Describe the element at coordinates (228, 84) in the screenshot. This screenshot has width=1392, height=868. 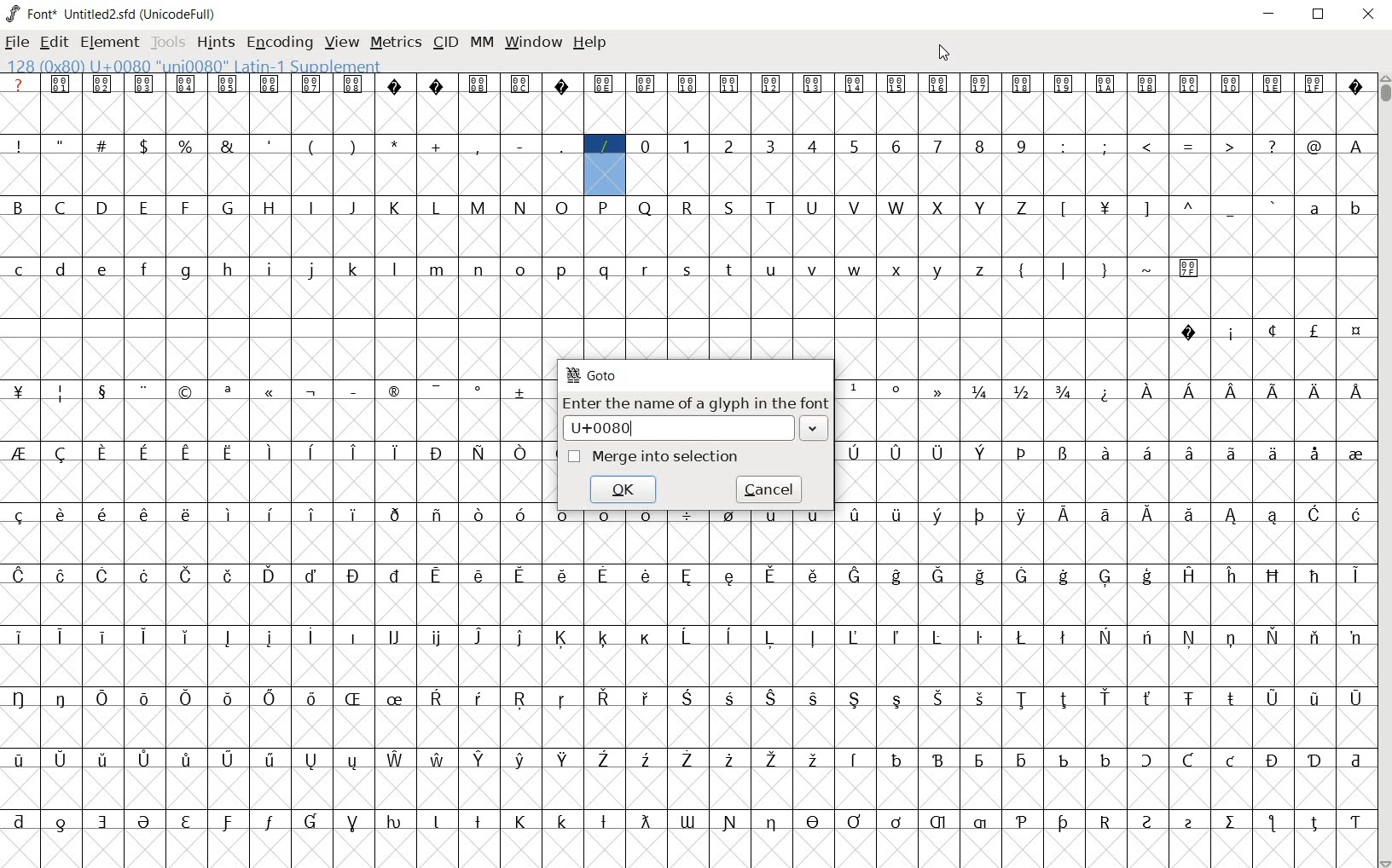
I see `glyph` at that location.